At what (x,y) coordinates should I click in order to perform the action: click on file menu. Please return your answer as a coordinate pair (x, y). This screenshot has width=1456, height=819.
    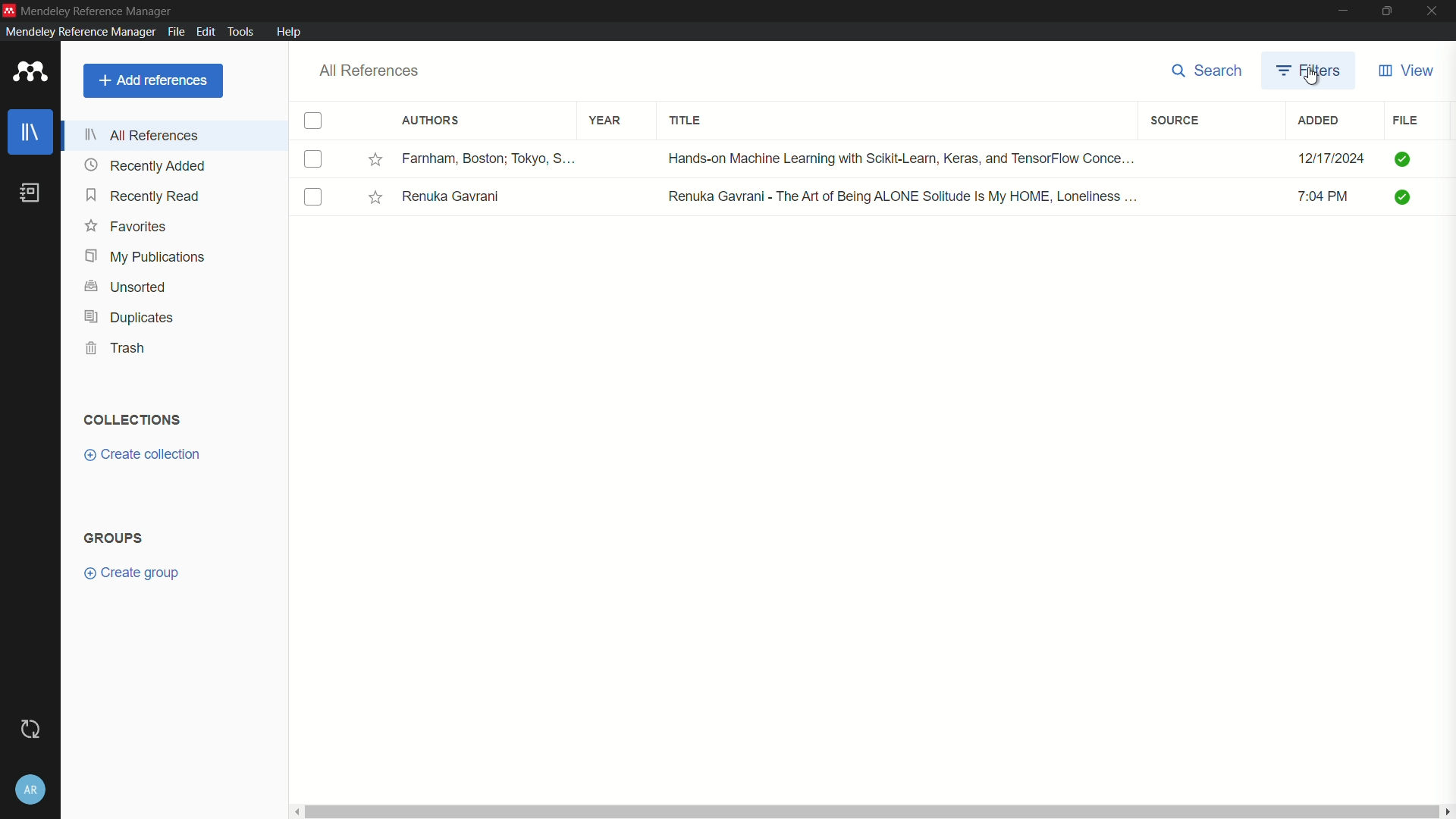
    Looking at the image, I should click on (176, 31).